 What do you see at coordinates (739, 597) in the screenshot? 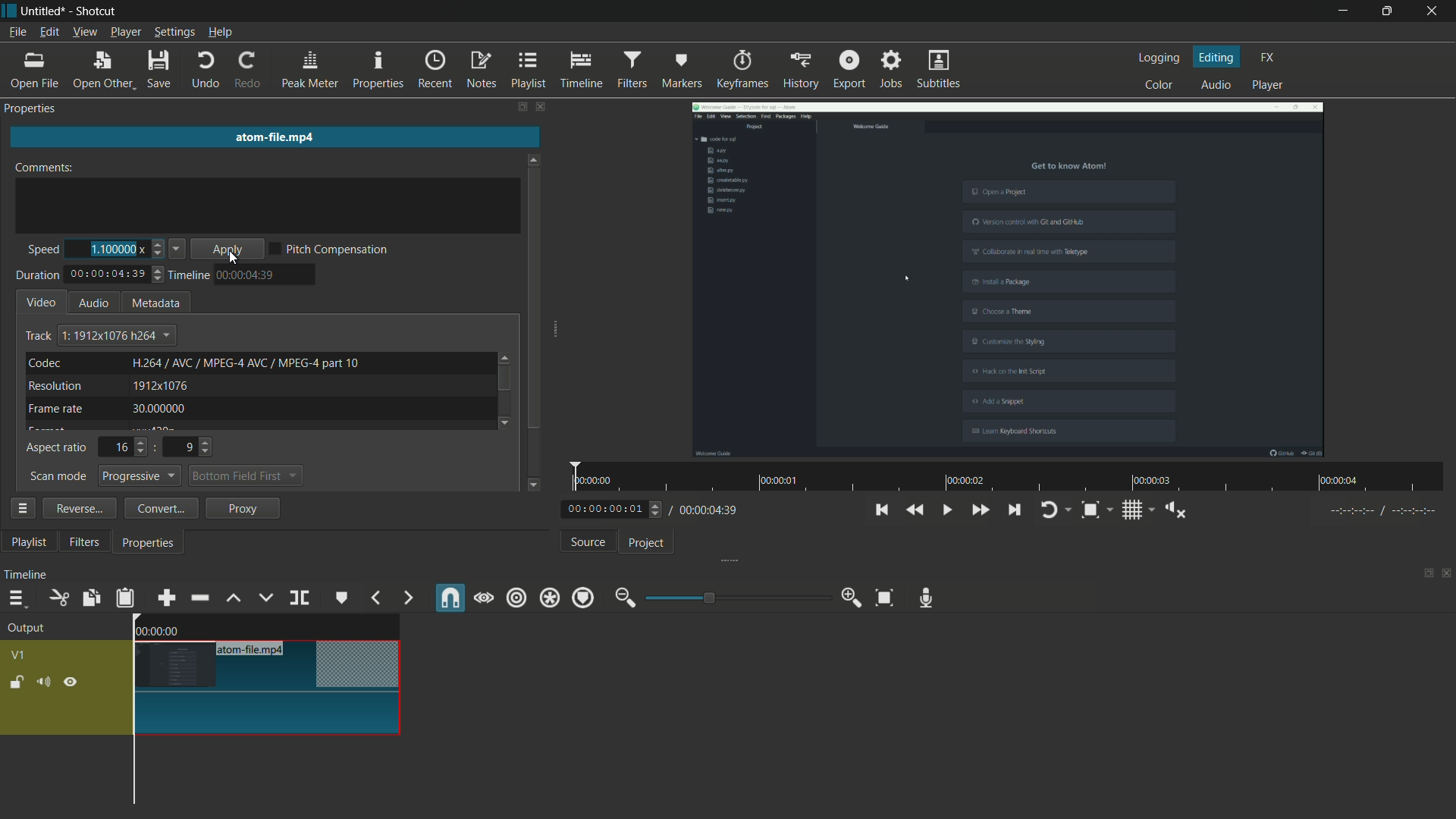
I see `adjustment bar` at bounding box center [739, 597].